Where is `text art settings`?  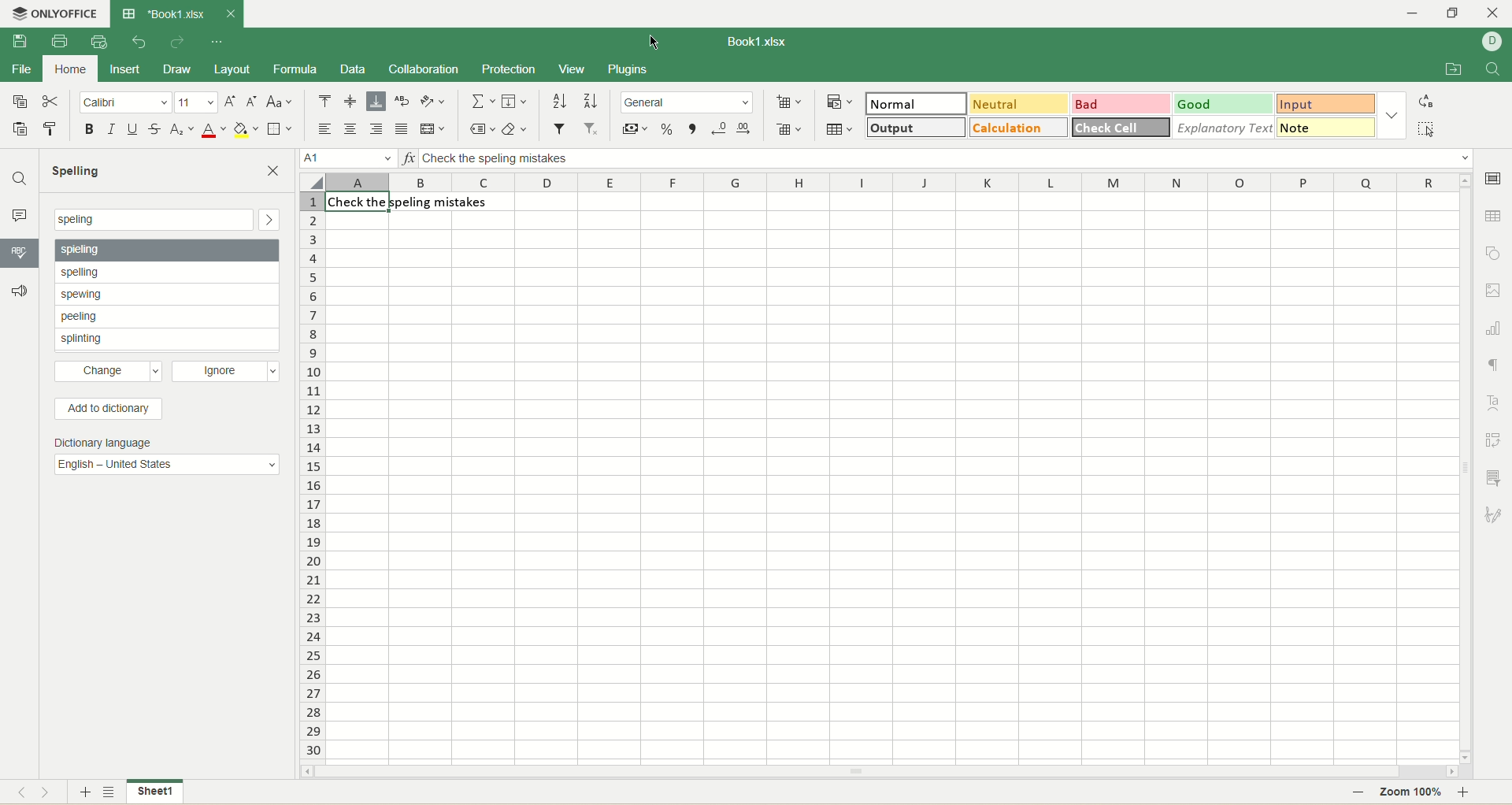
text art settings is located at coordinates (1495, 403).